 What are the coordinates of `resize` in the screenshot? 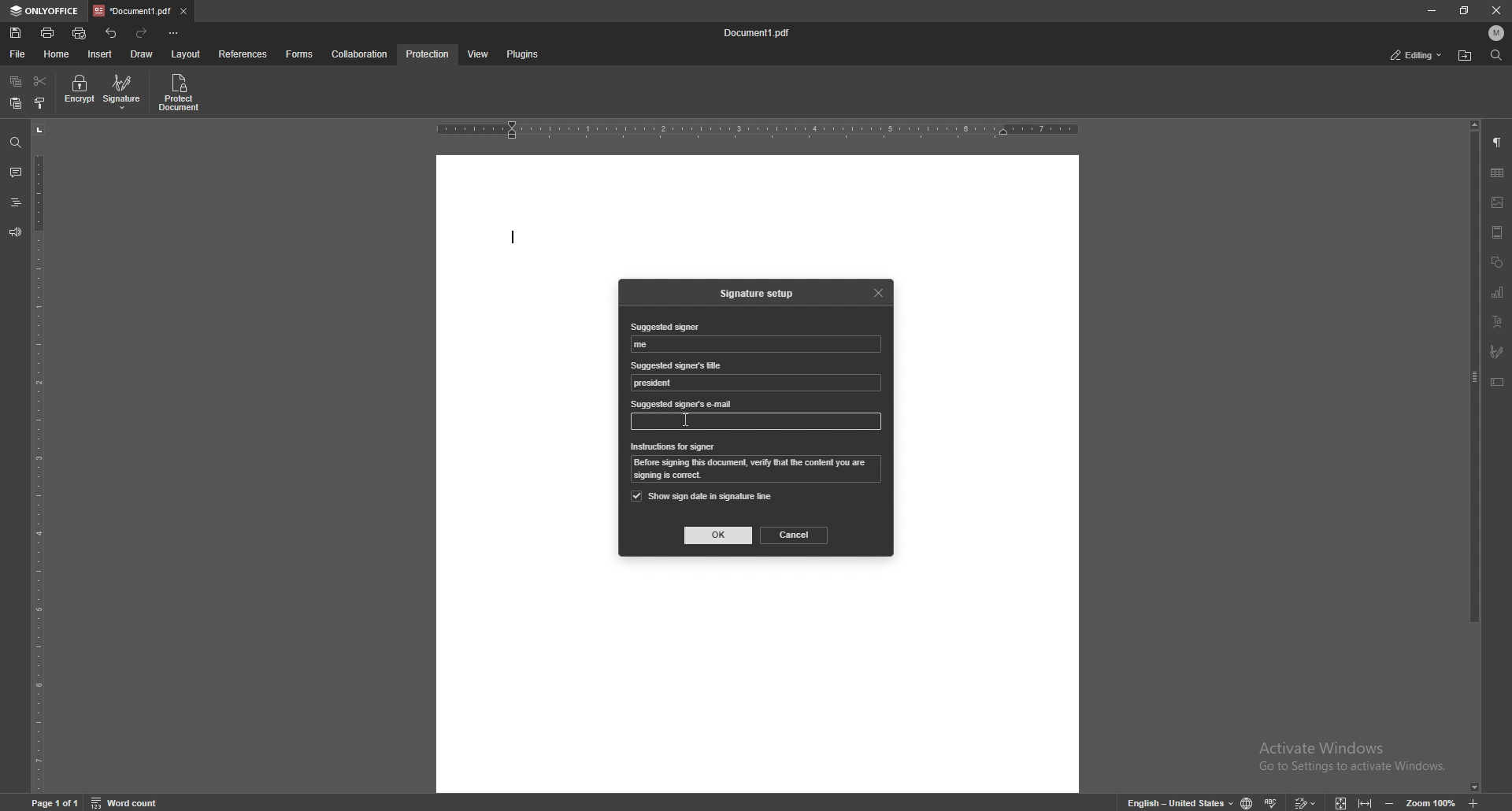 It's located at (1466, 10).